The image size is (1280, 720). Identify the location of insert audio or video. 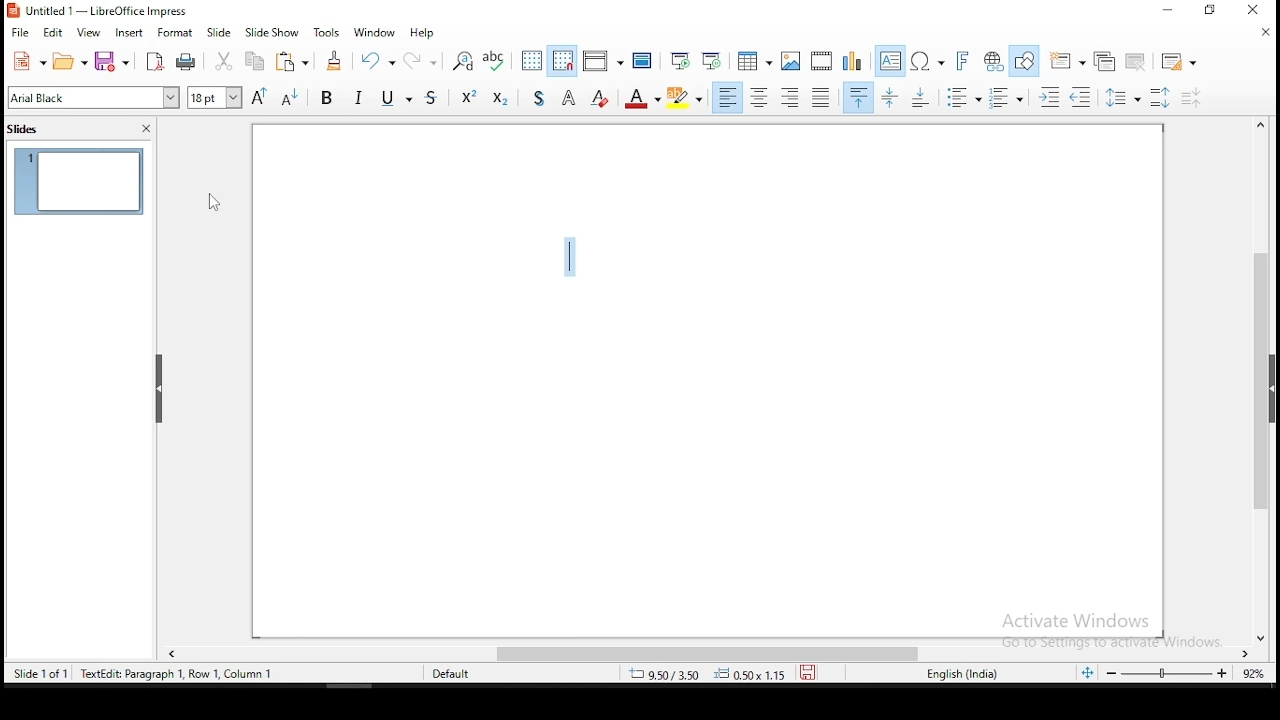
(823, 59).